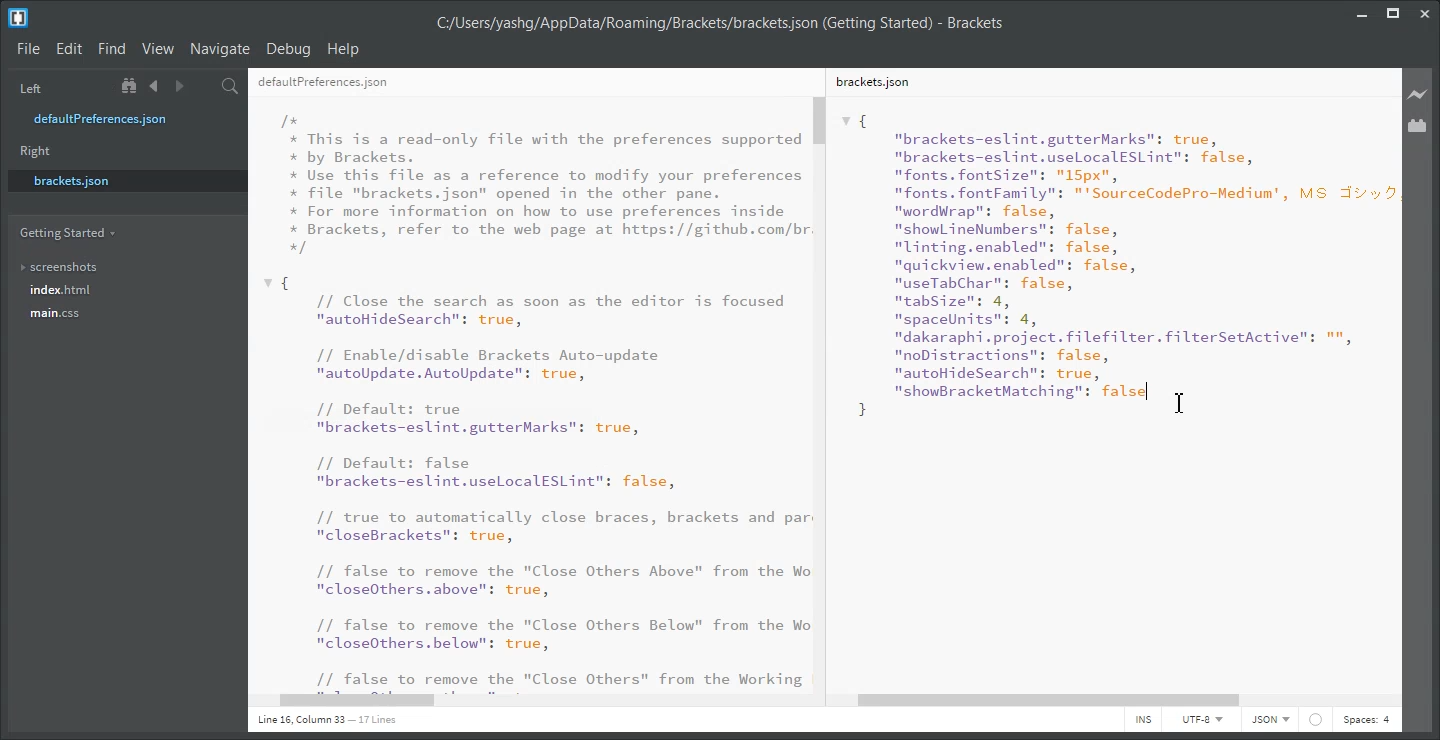 The image size is (1440, 740). What do you see at coordinates (131, 86) in the screenshot?
I see `Show in the file tree` at bounding box center [131, 86].